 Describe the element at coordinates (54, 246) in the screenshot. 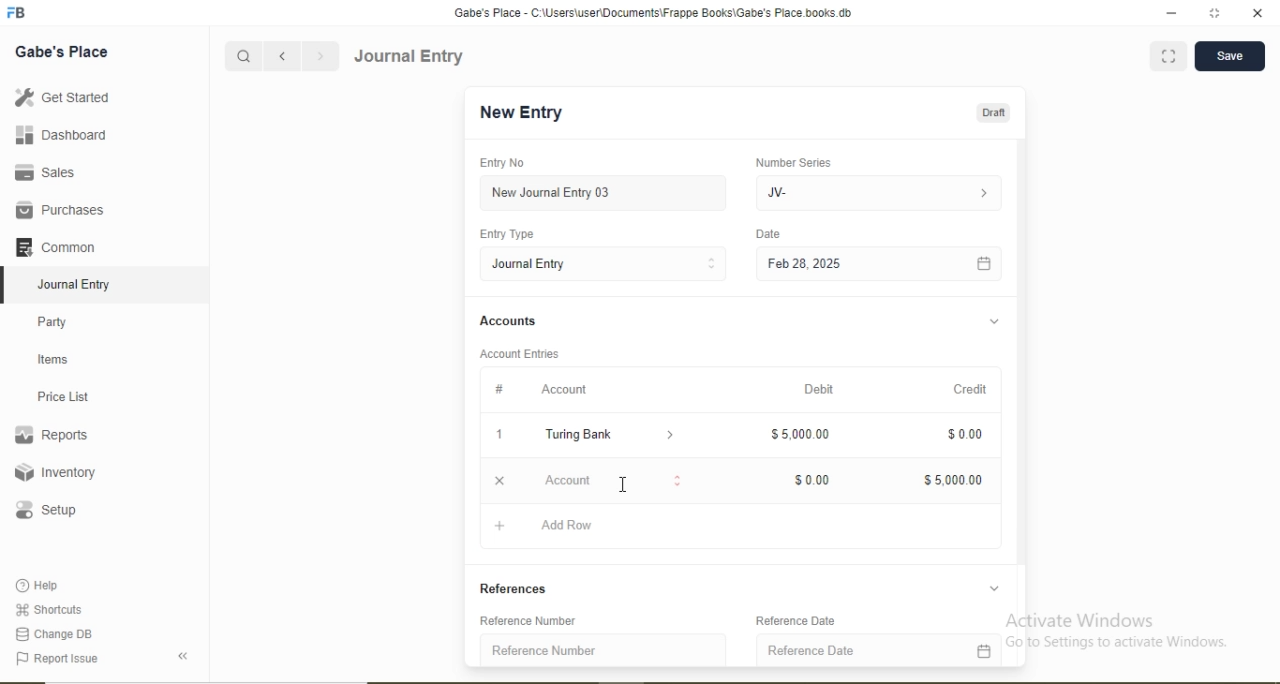

I see `Common` at that location.